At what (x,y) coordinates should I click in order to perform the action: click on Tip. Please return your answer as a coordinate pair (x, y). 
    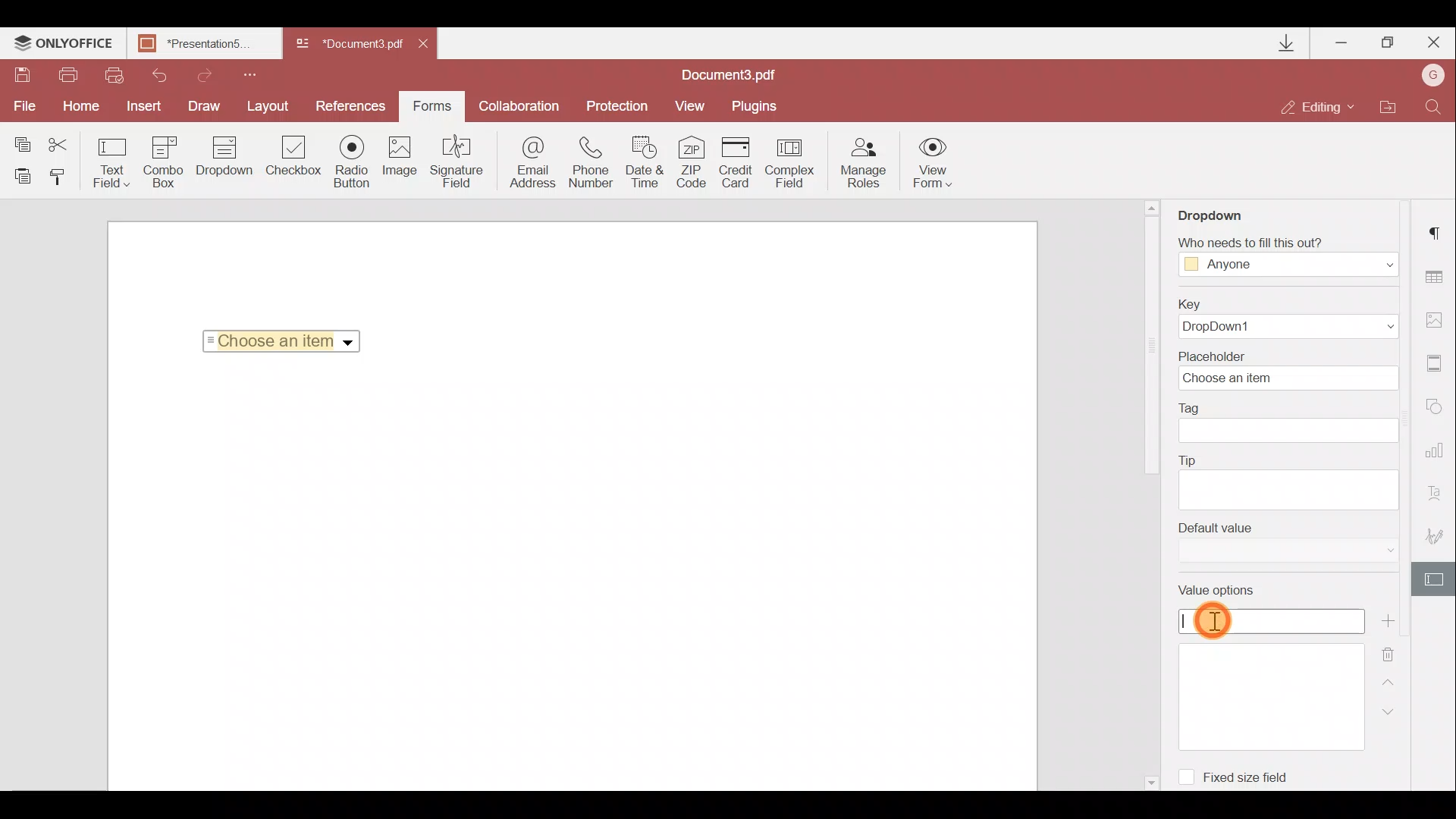
    Looking at the image, I should click on (1288, 480).